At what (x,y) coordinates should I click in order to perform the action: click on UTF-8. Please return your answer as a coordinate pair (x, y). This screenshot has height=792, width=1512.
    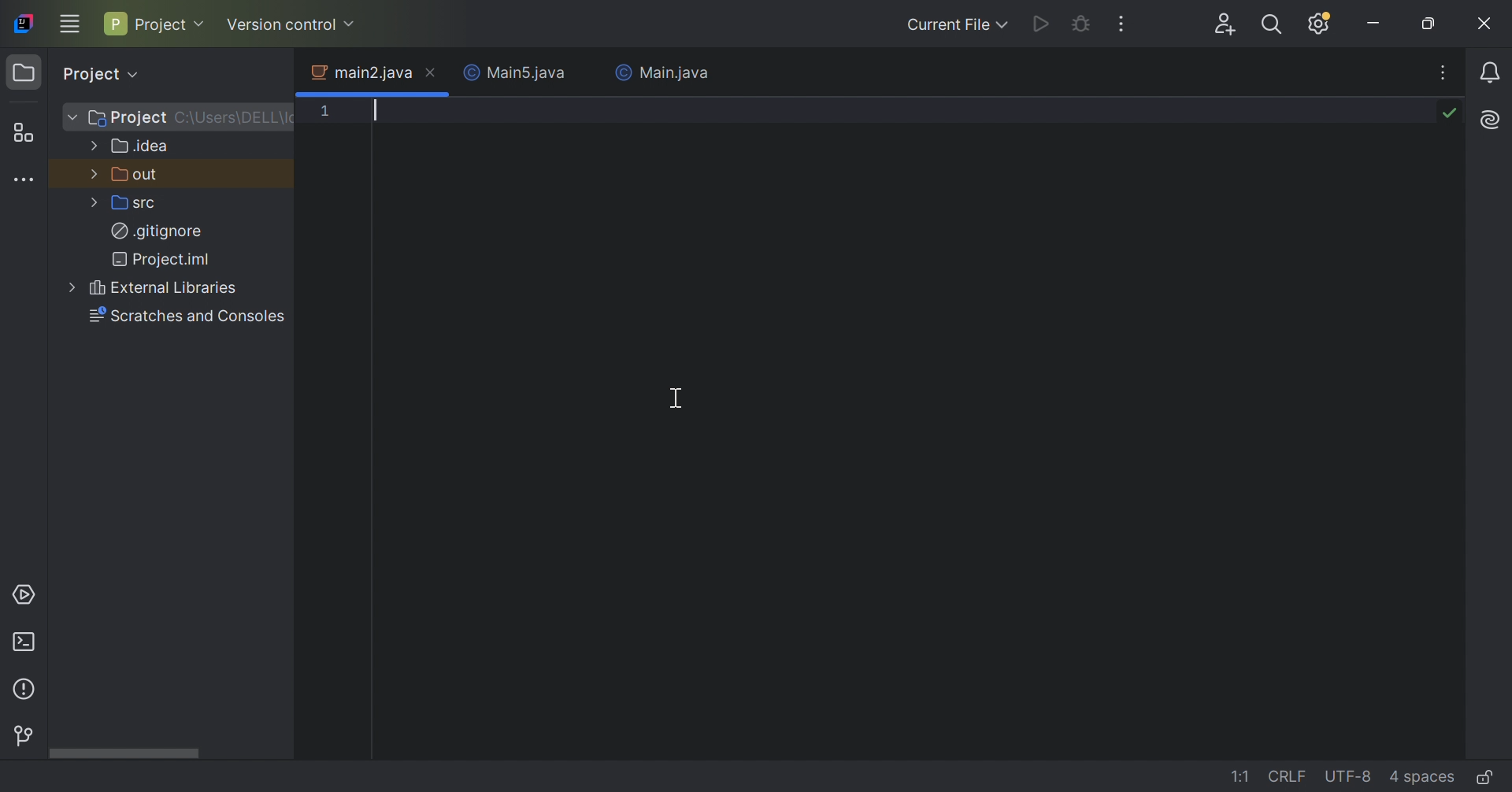
    Looking at the image, I should click on (1352, 777).